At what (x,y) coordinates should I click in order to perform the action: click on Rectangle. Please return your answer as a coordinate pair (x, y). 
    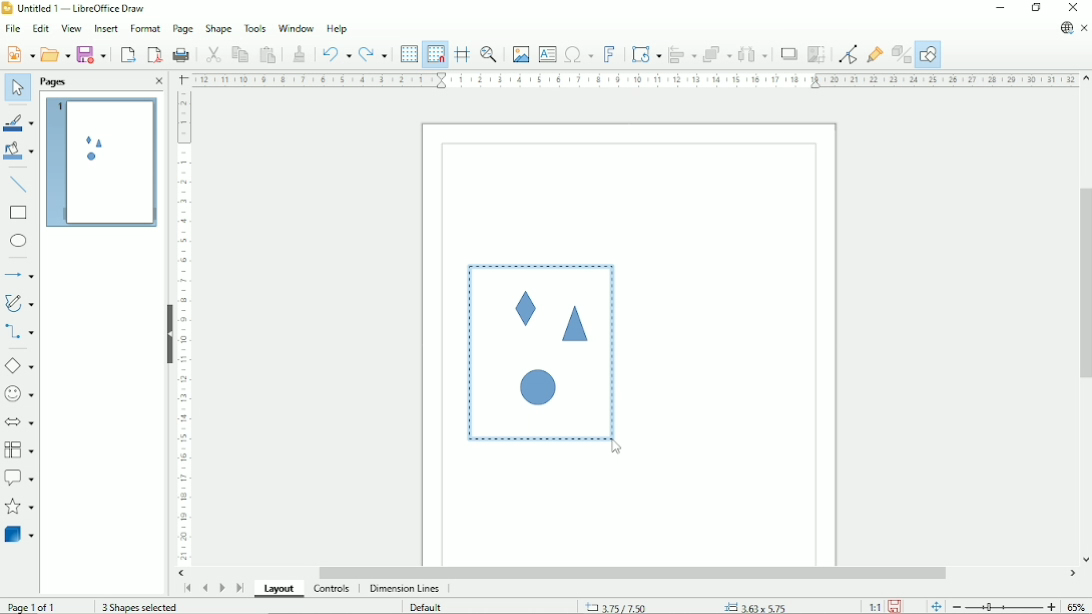
    Looking at the image, I should click on (19, 213).